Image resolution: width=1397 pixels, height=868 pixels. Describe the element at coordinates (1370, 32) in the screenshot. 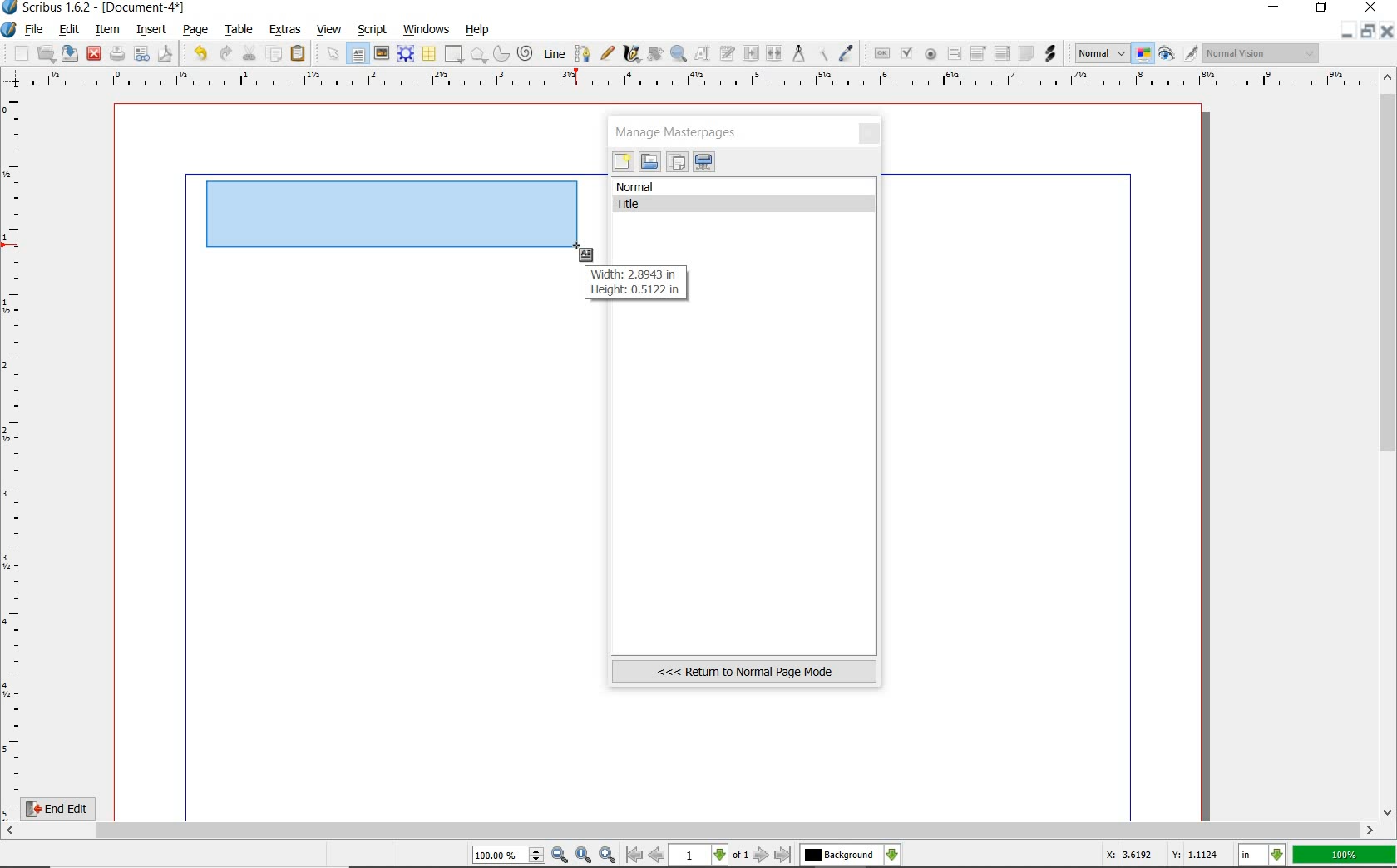

I see `restore` at that location.